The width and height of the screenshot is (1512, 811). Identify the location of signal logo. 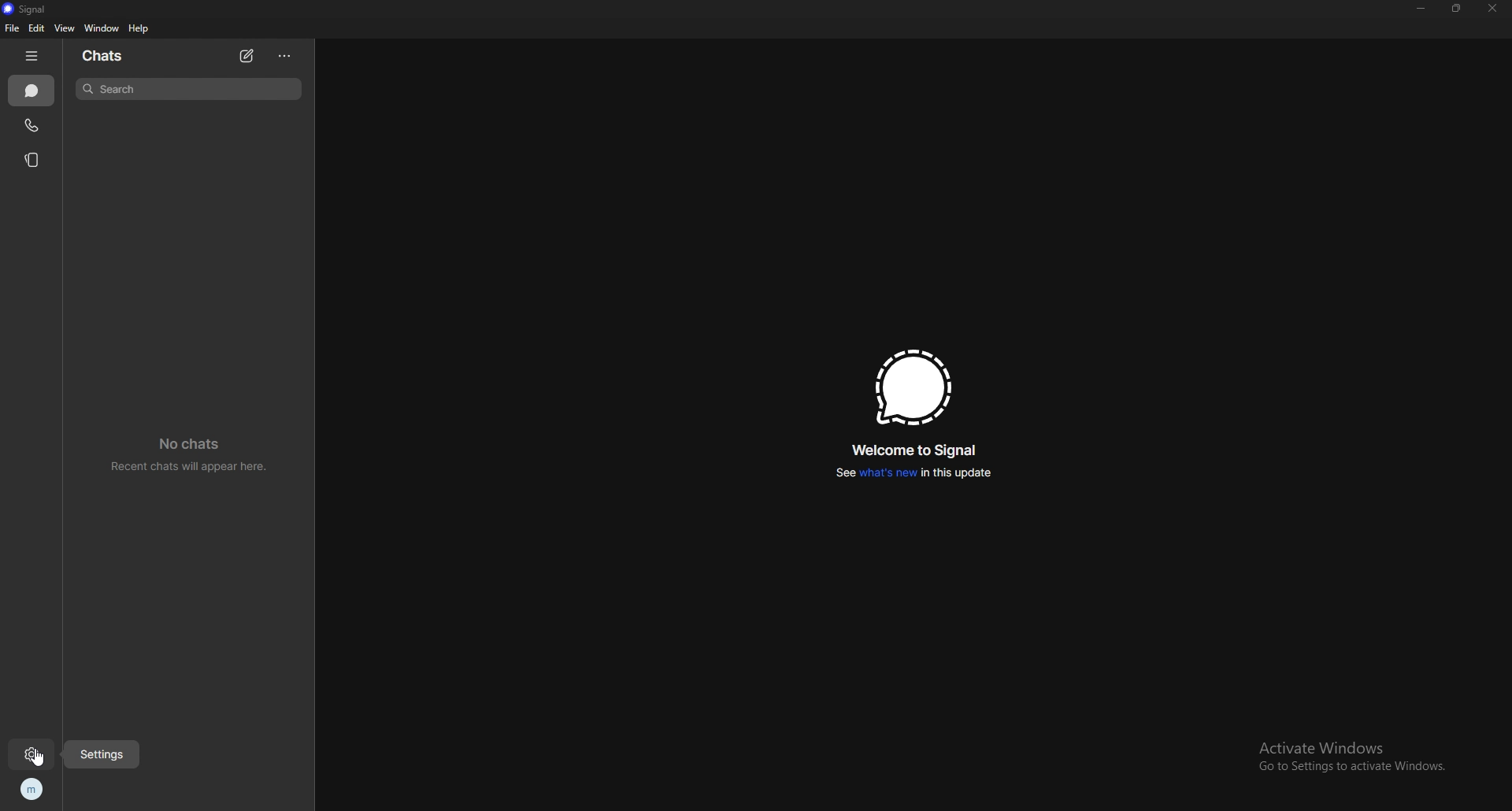
(913, 387).